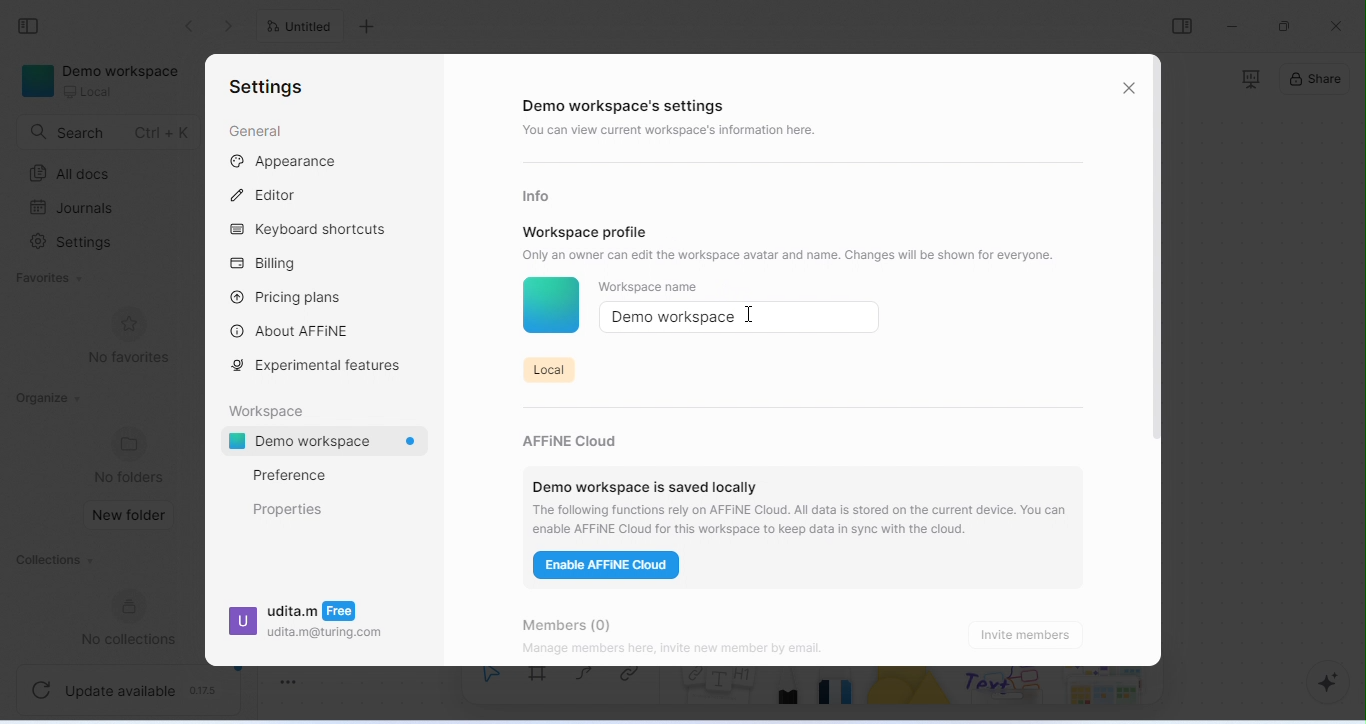  Describe the element at coordinates (674, 132) in the screenshot. I see `you can view current workspace's information here` at that location.